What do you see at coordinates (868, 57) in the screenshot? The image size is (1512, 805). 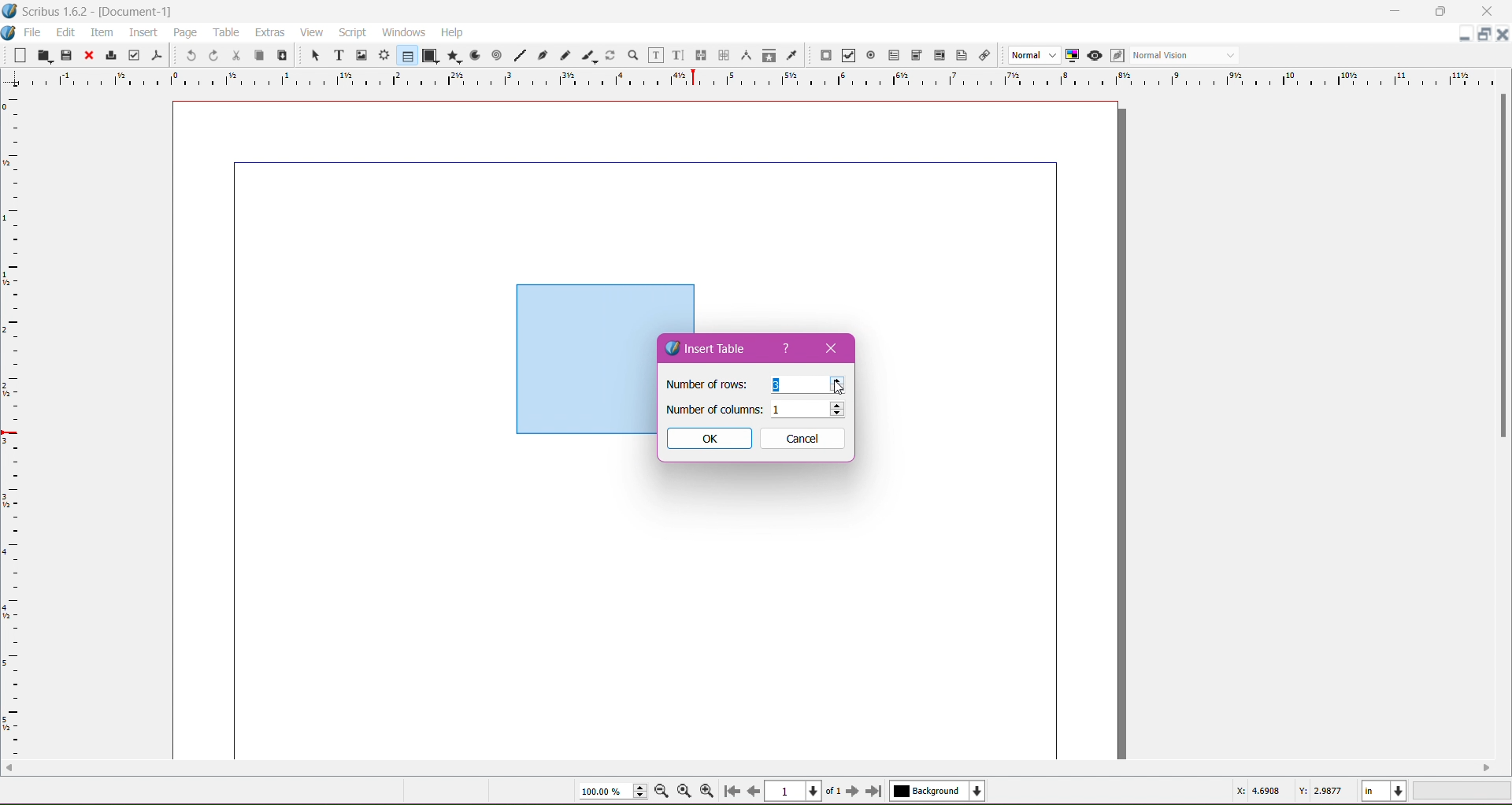 I see `PDF Radio Button` at bounding box center [868, 57].